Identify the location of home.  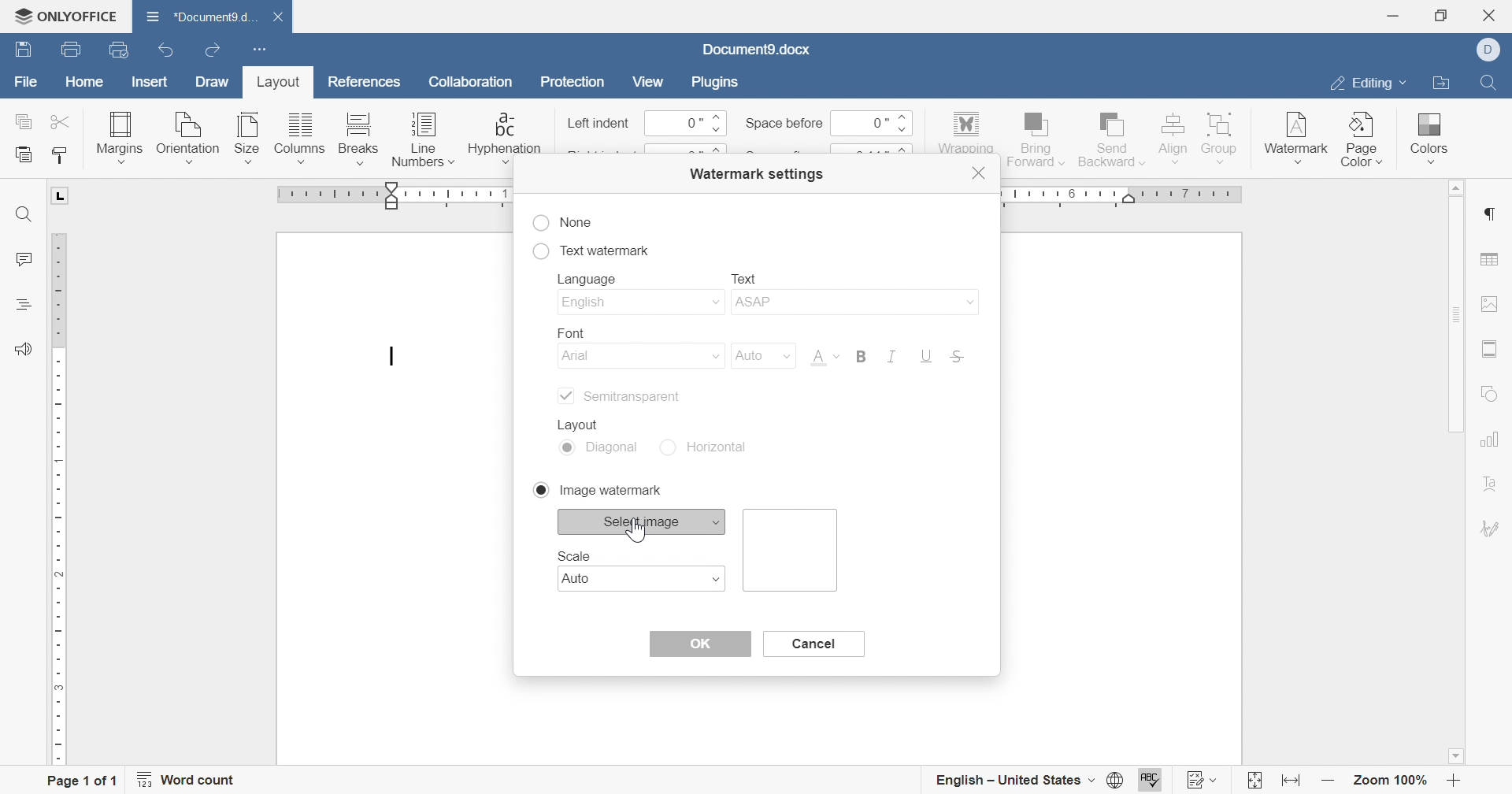
(85, 84).